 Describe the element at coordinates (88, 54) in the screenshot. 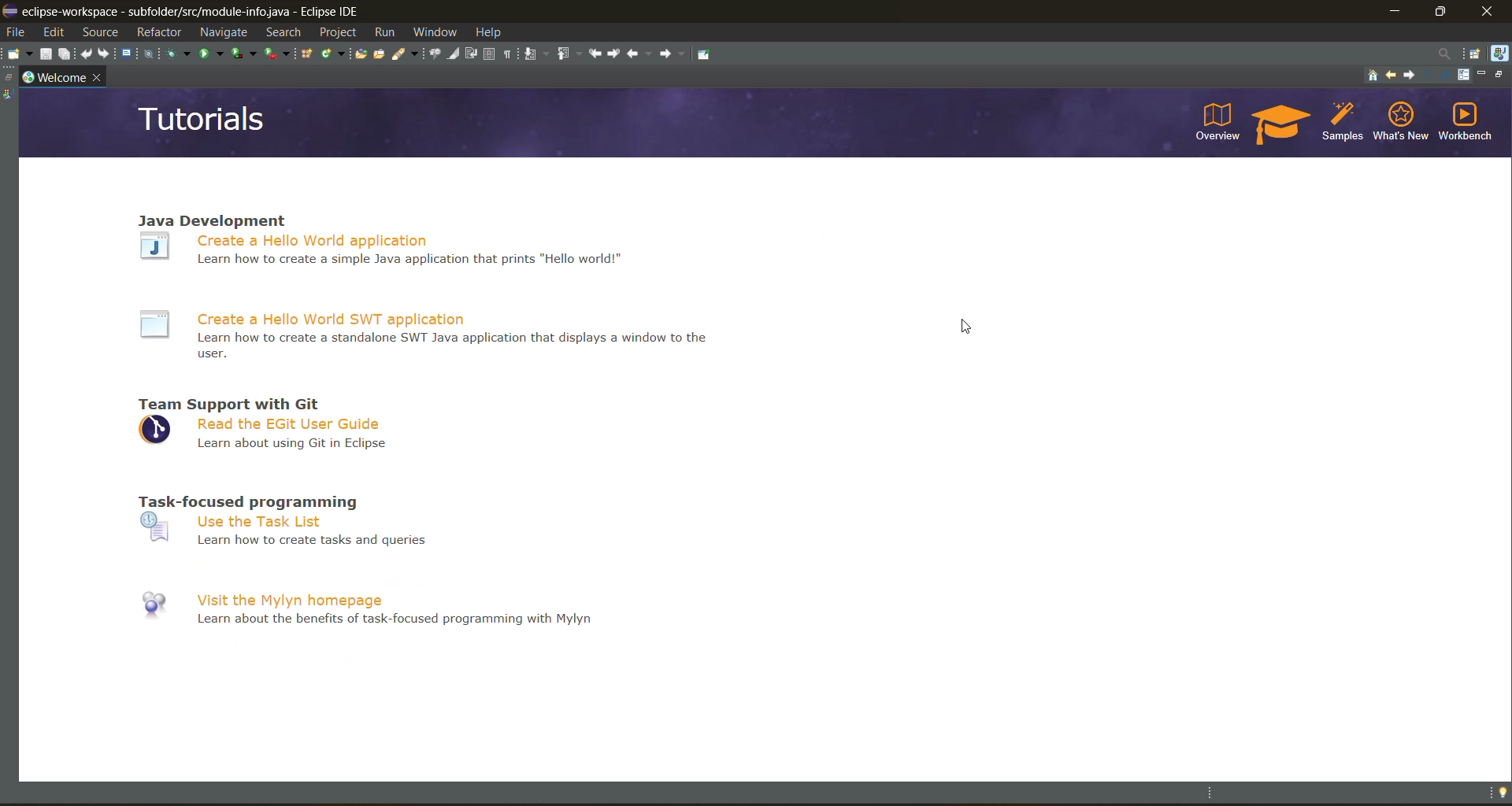

I see `undo` at that location.